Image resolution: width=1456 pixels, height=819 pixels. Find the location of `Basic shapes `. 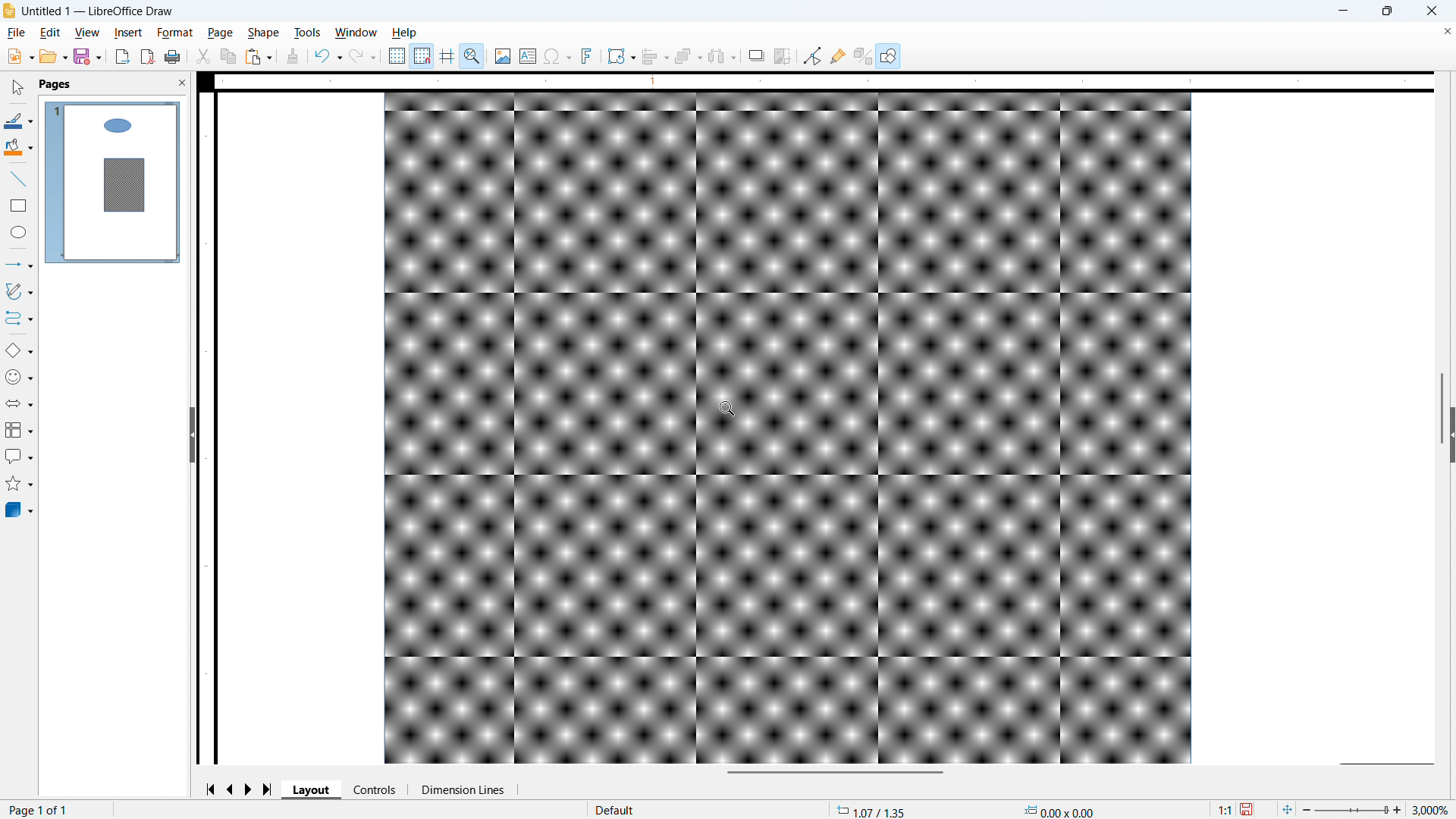

Basic shapes  is located at coordinates (18, 351).